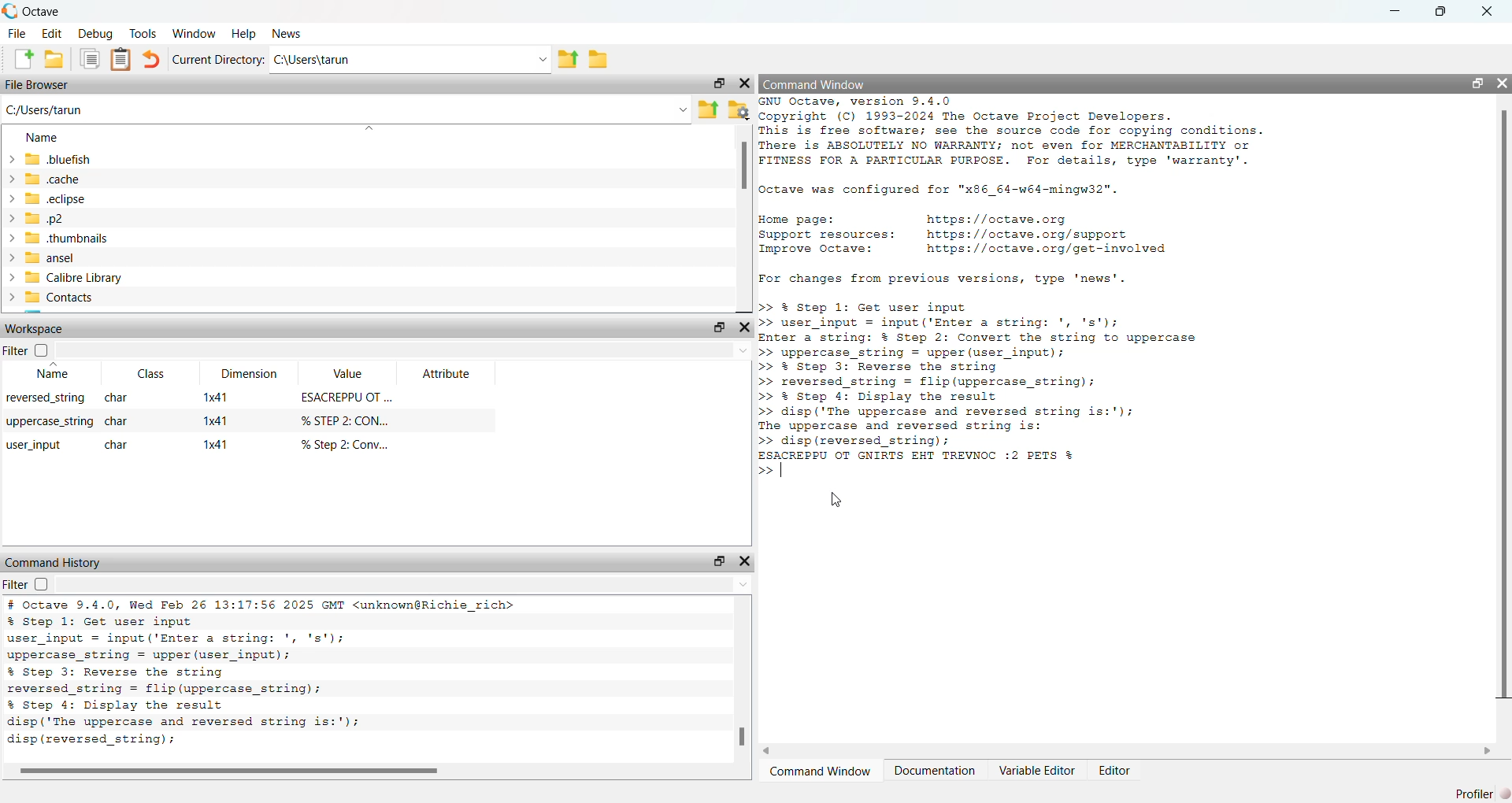  What do you see at coordinates (181, 716) in the screenshot?
I see `code to display the result` at bounding box center [181, 716].